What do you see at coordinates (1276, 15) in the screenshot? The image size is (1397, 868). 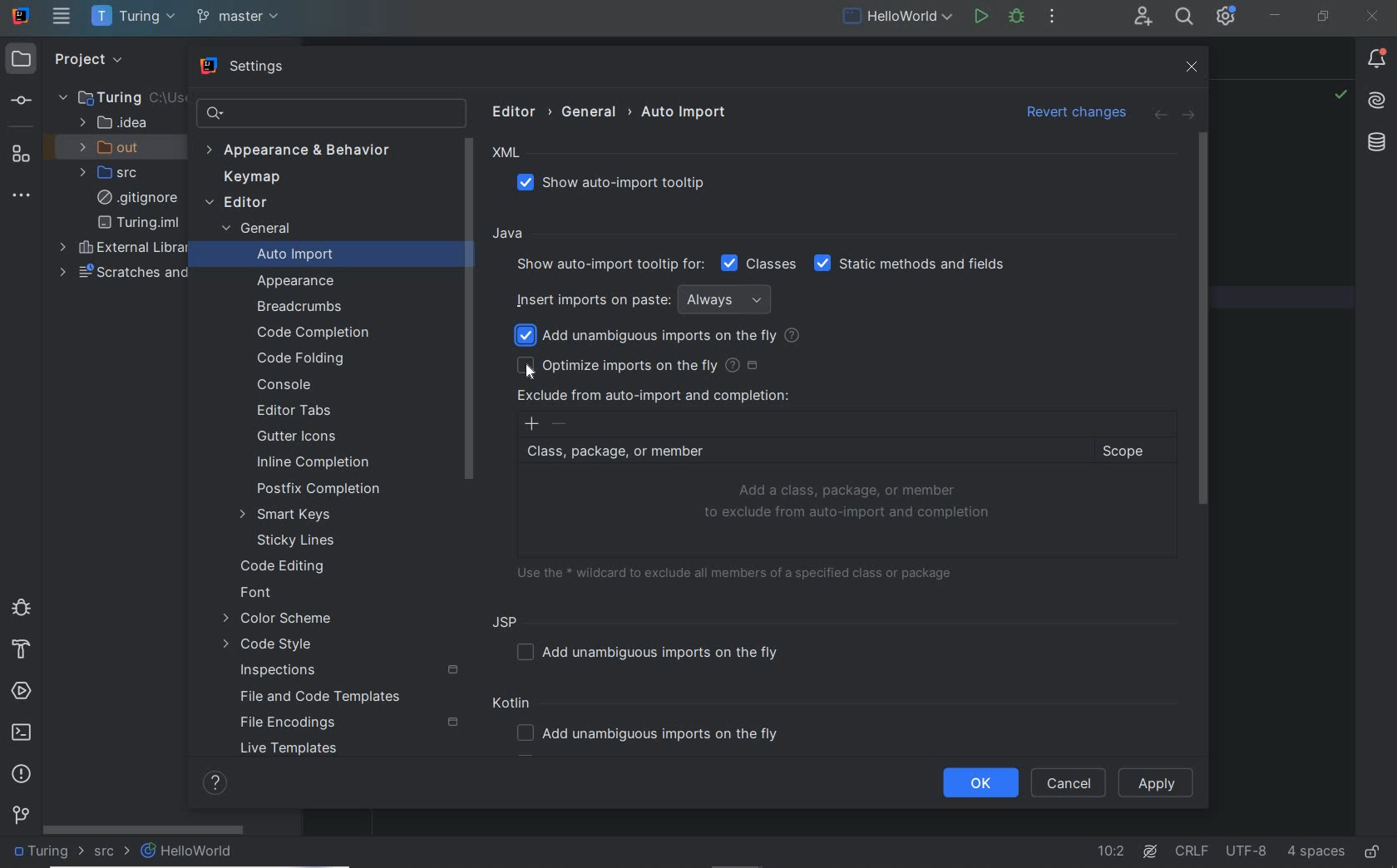 I see `MINIMIZE` at bounding box center [1276, 15].